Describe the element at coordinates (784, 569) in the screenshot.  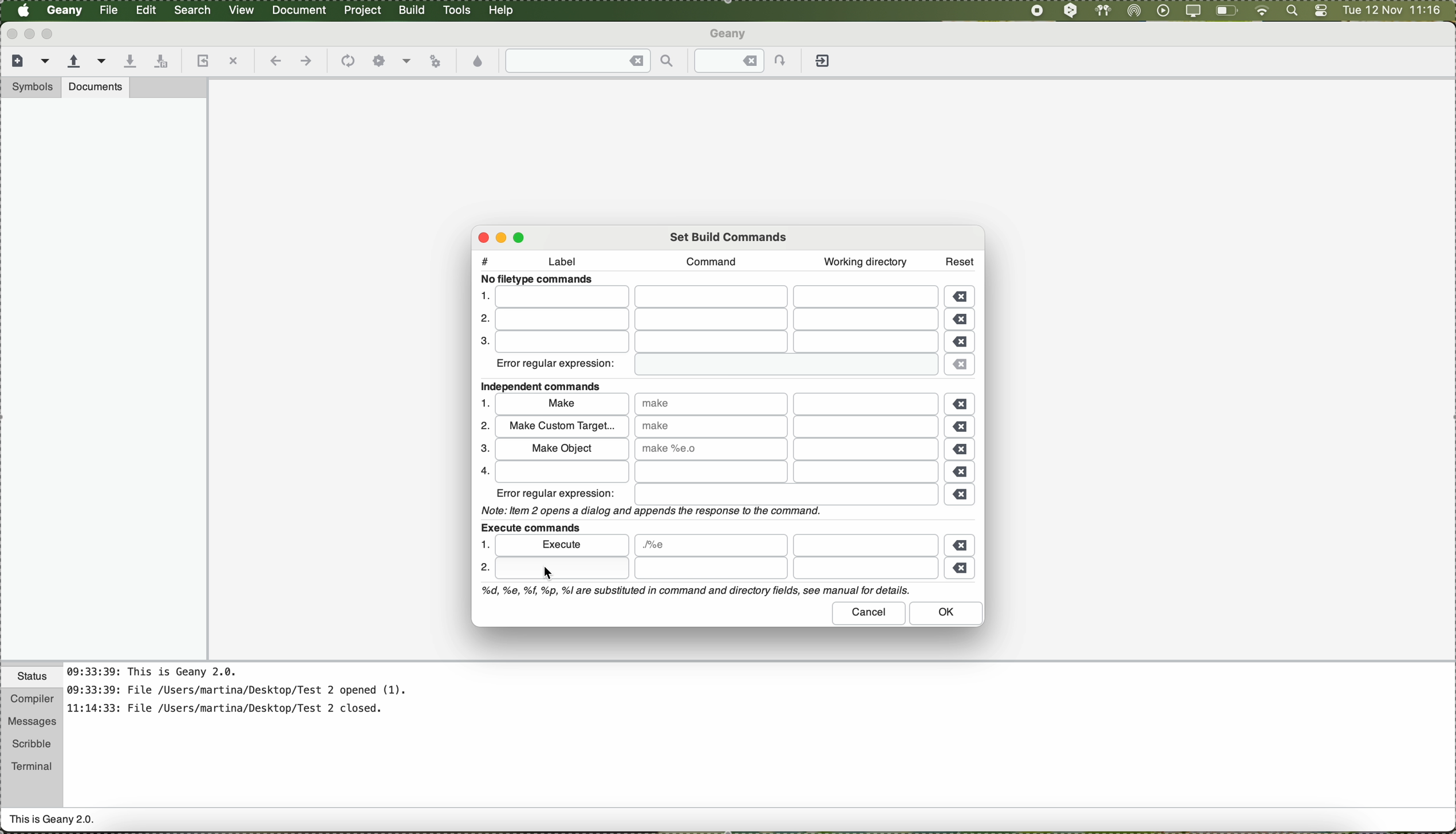
I see `file` at that location.